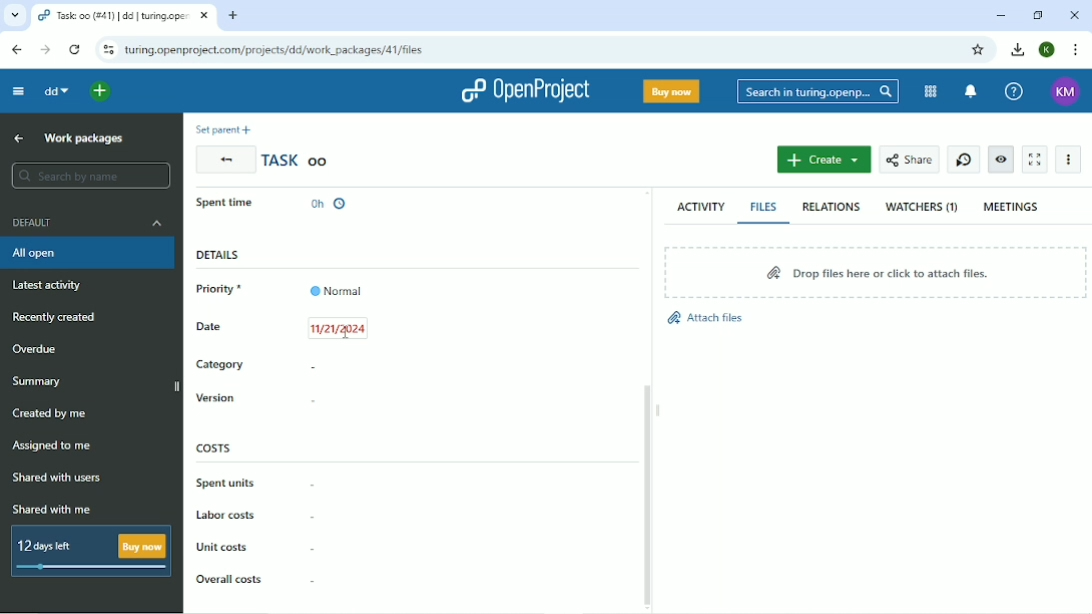 This screenshot has height=614, width=1092. What do you see at coordinates (524, 89) in the screenshot?
I see `OpenProject` at bounding box center [524, 89].